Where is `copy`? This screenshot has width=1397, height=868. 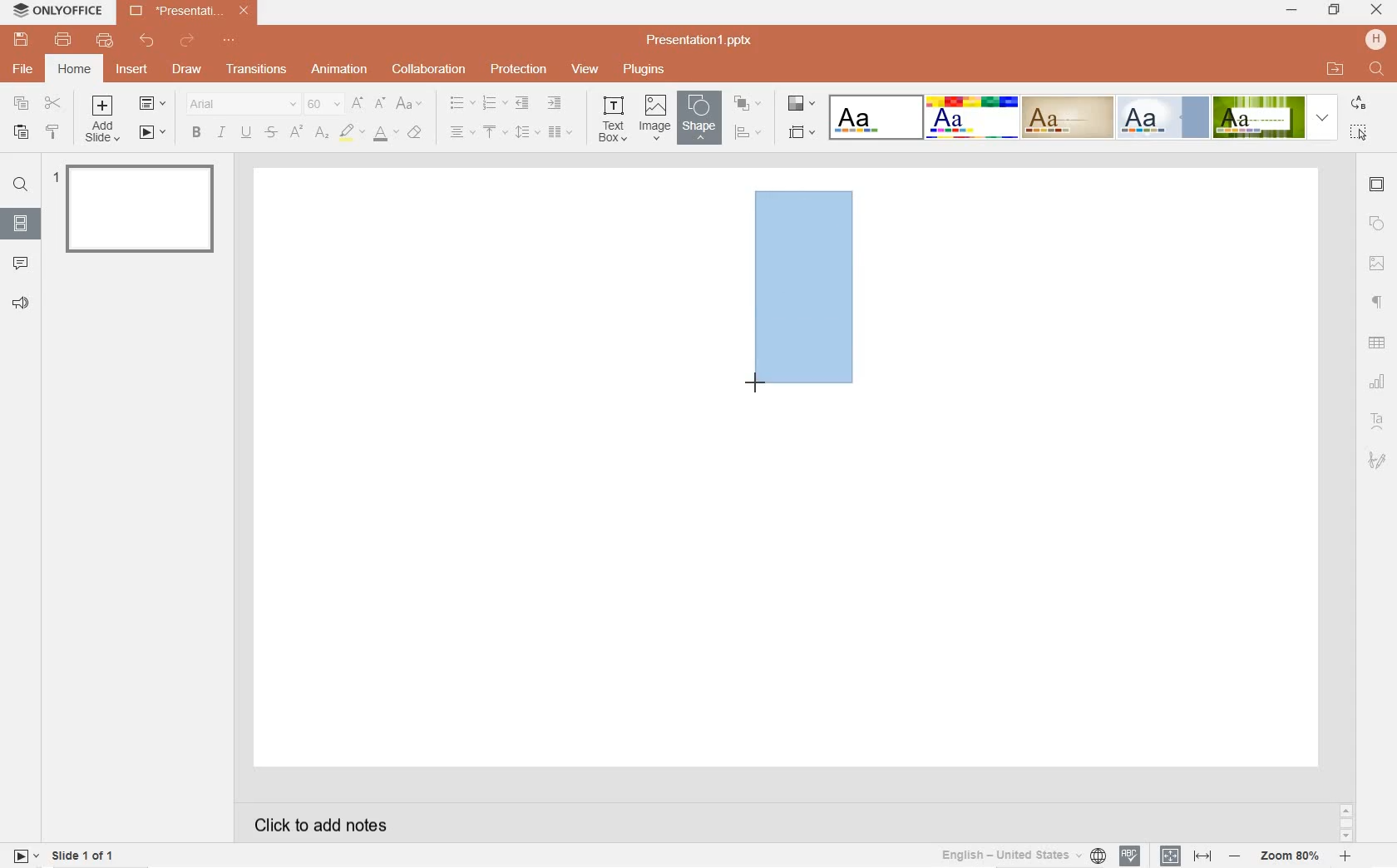
copy is located at coordinates (22, 103).